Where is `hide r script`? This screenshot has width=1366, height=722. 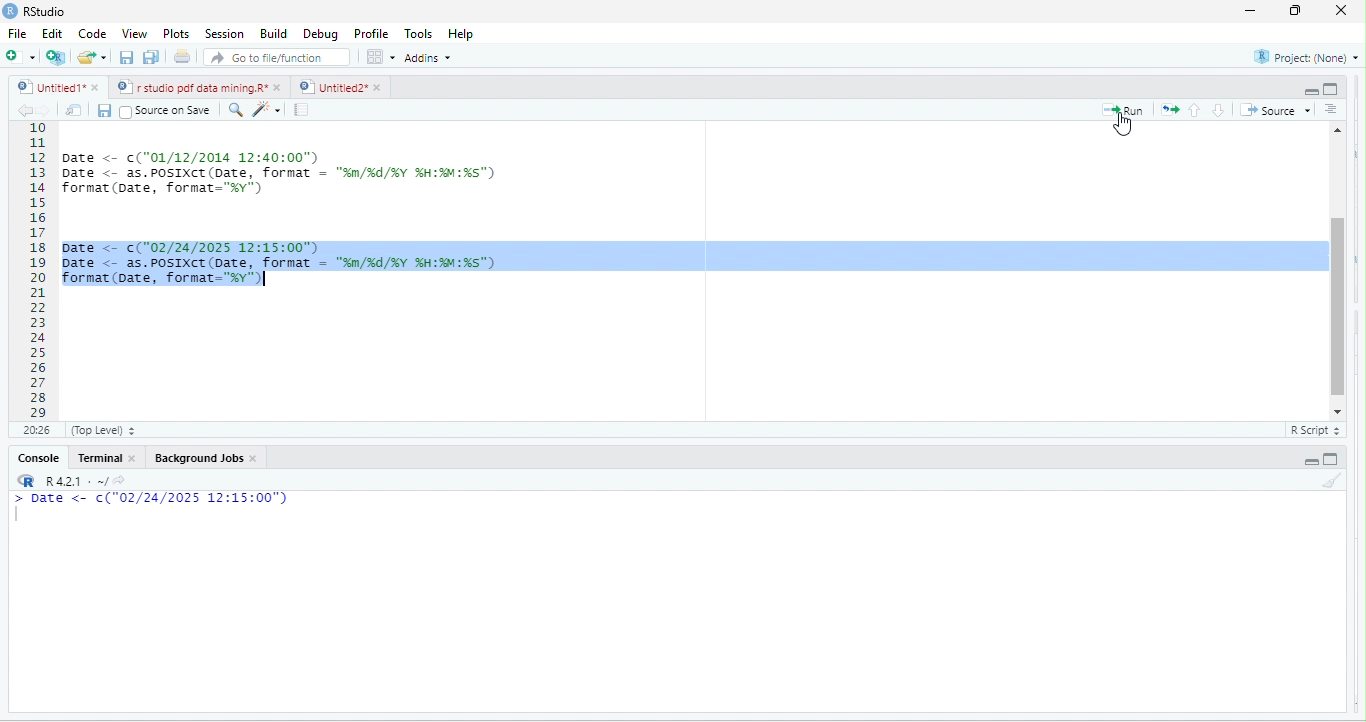 hide r script is located at coordinates (1308, 86).